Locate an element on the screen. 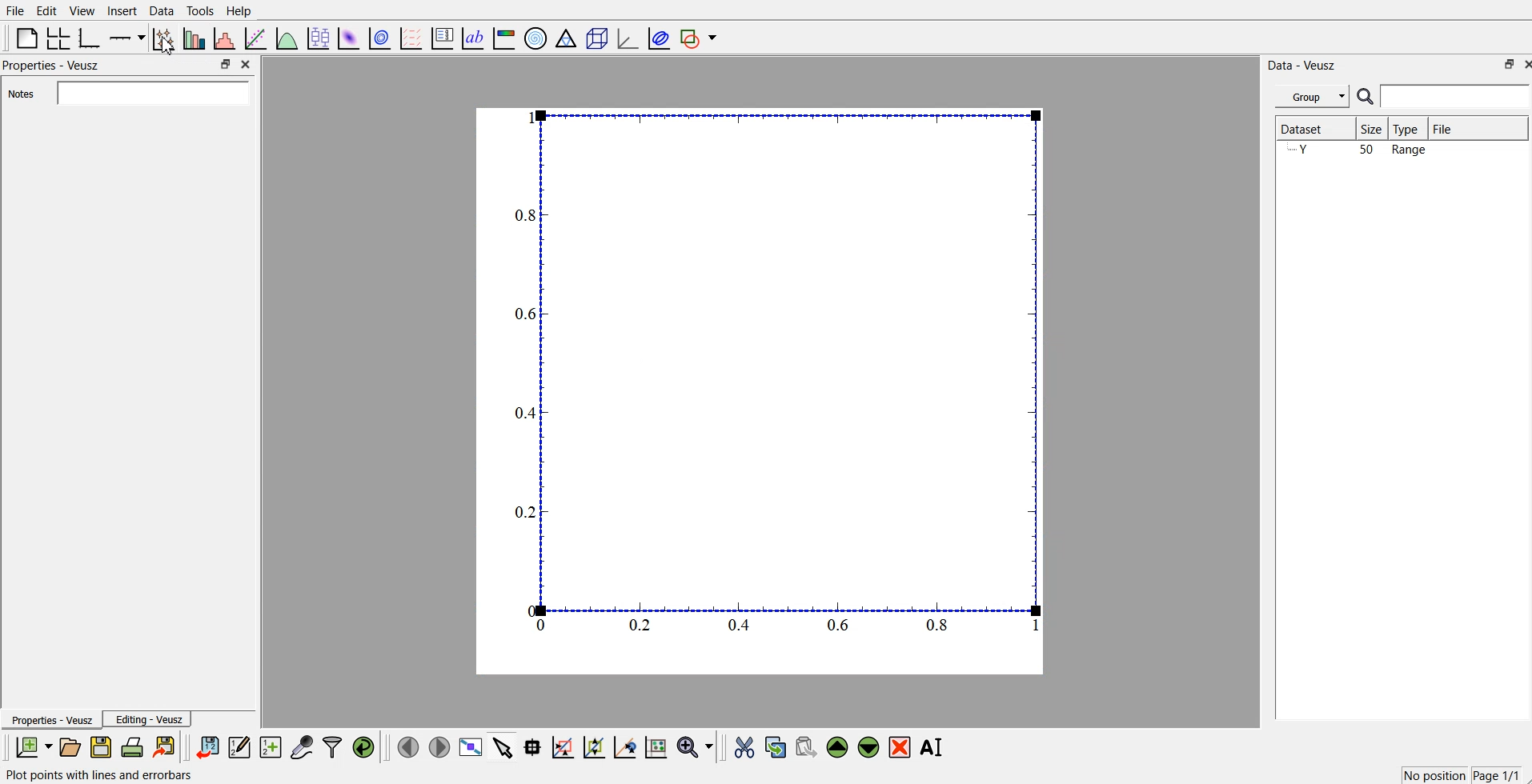  plot points with lines and error bars is located at coordinates (101, 775).